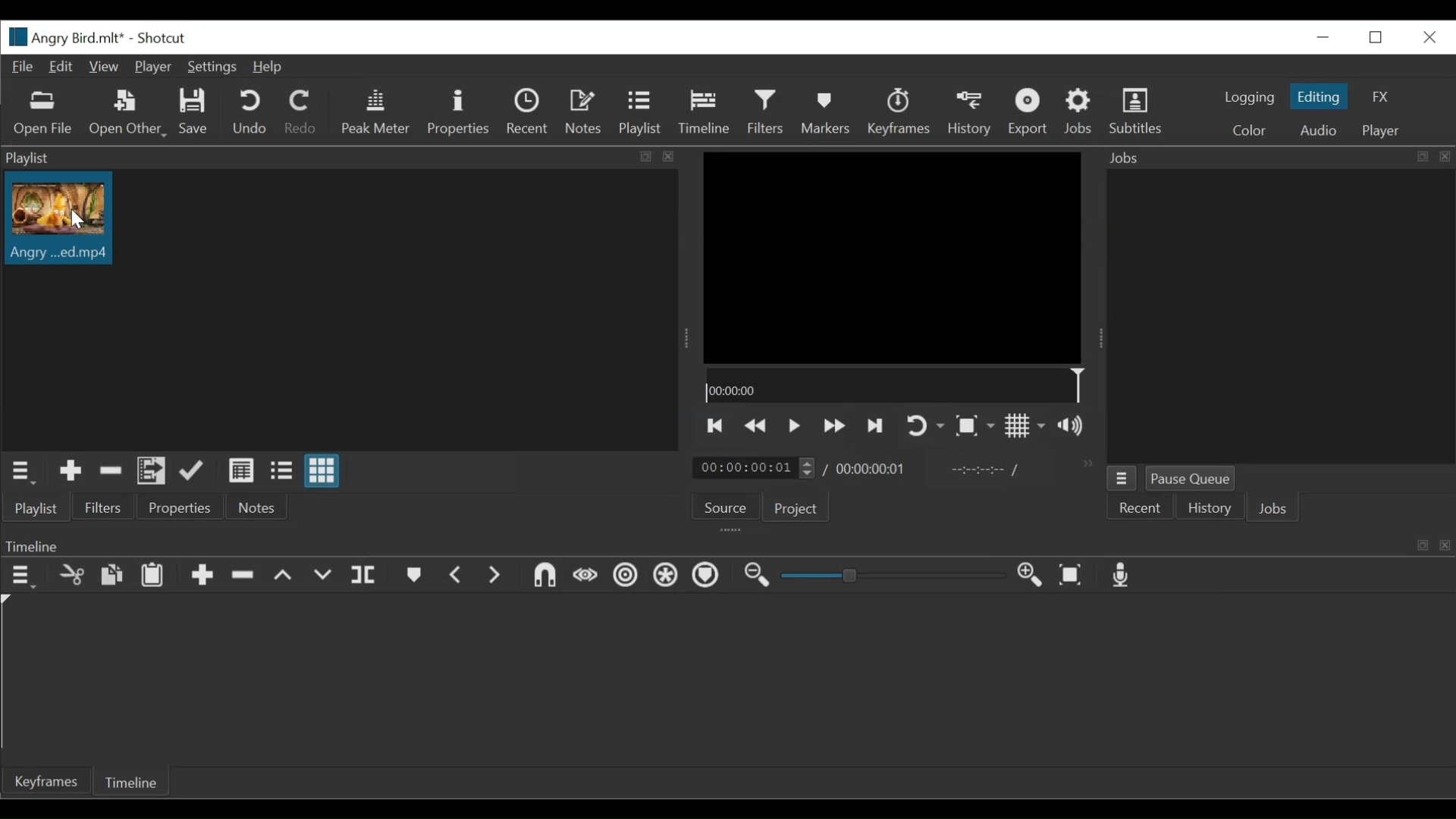 This screenshot has height=819, width=1456. What do you see at coordinates (111, 473) in the screenshot?
I see `Cut` at bounding box center [111, 473].